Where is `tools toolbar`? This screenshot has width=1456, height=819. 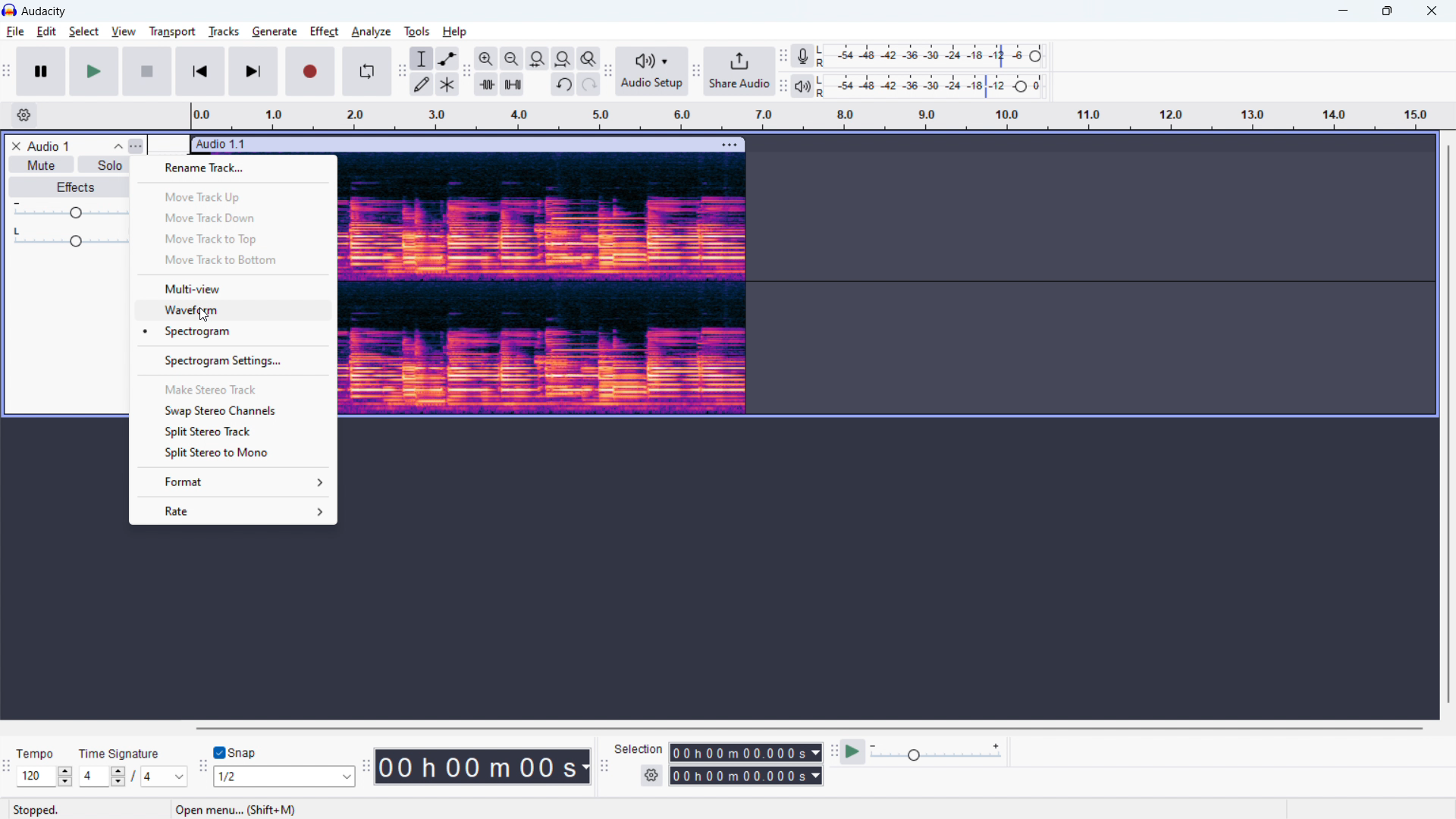 tools toolbar is located at coordinates (402, 72).